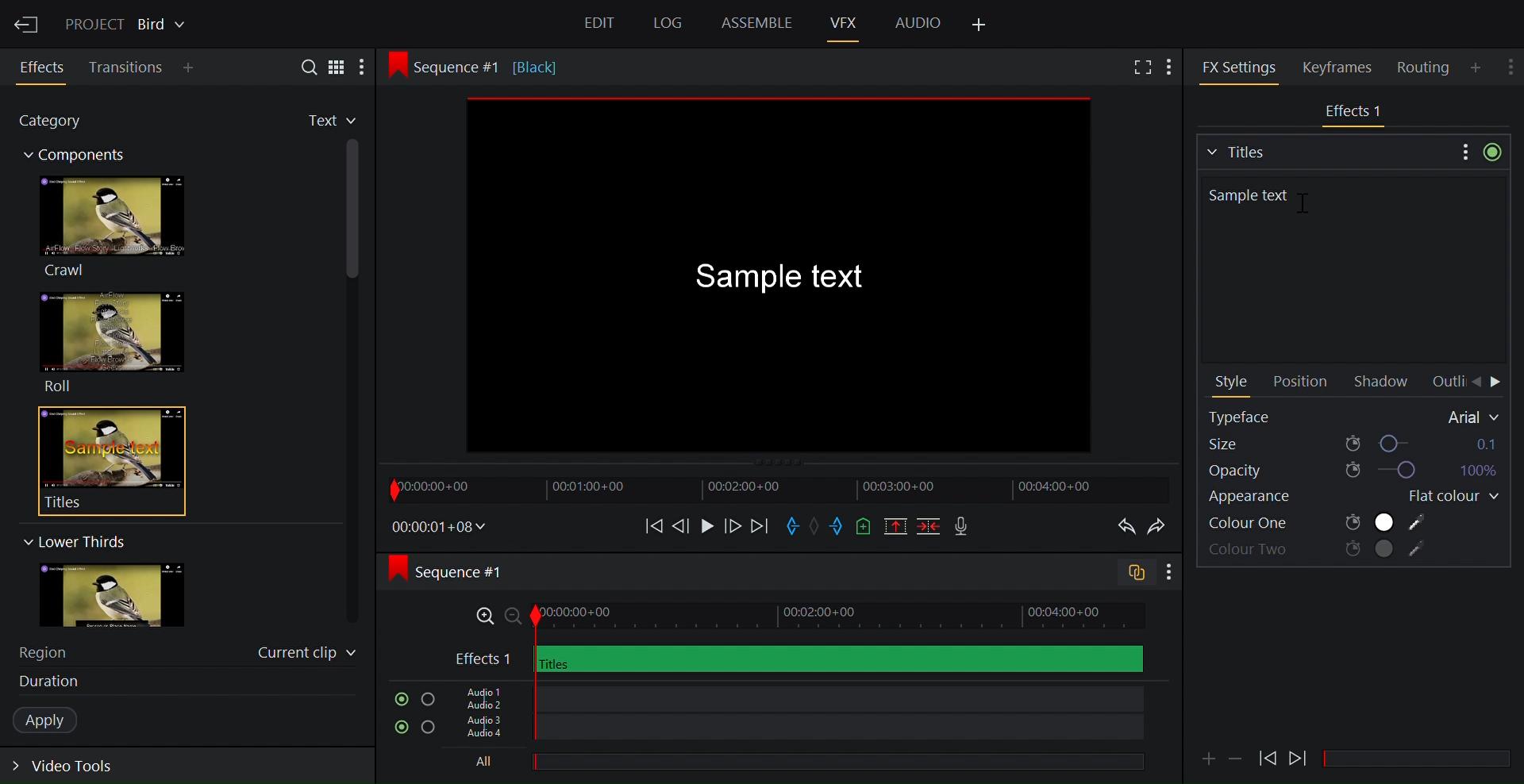 The height and width of the screenshot is (784, 1524). Describe the element at coordinates (980, 25) in the screenshot. I see `Add Panel` at that location.